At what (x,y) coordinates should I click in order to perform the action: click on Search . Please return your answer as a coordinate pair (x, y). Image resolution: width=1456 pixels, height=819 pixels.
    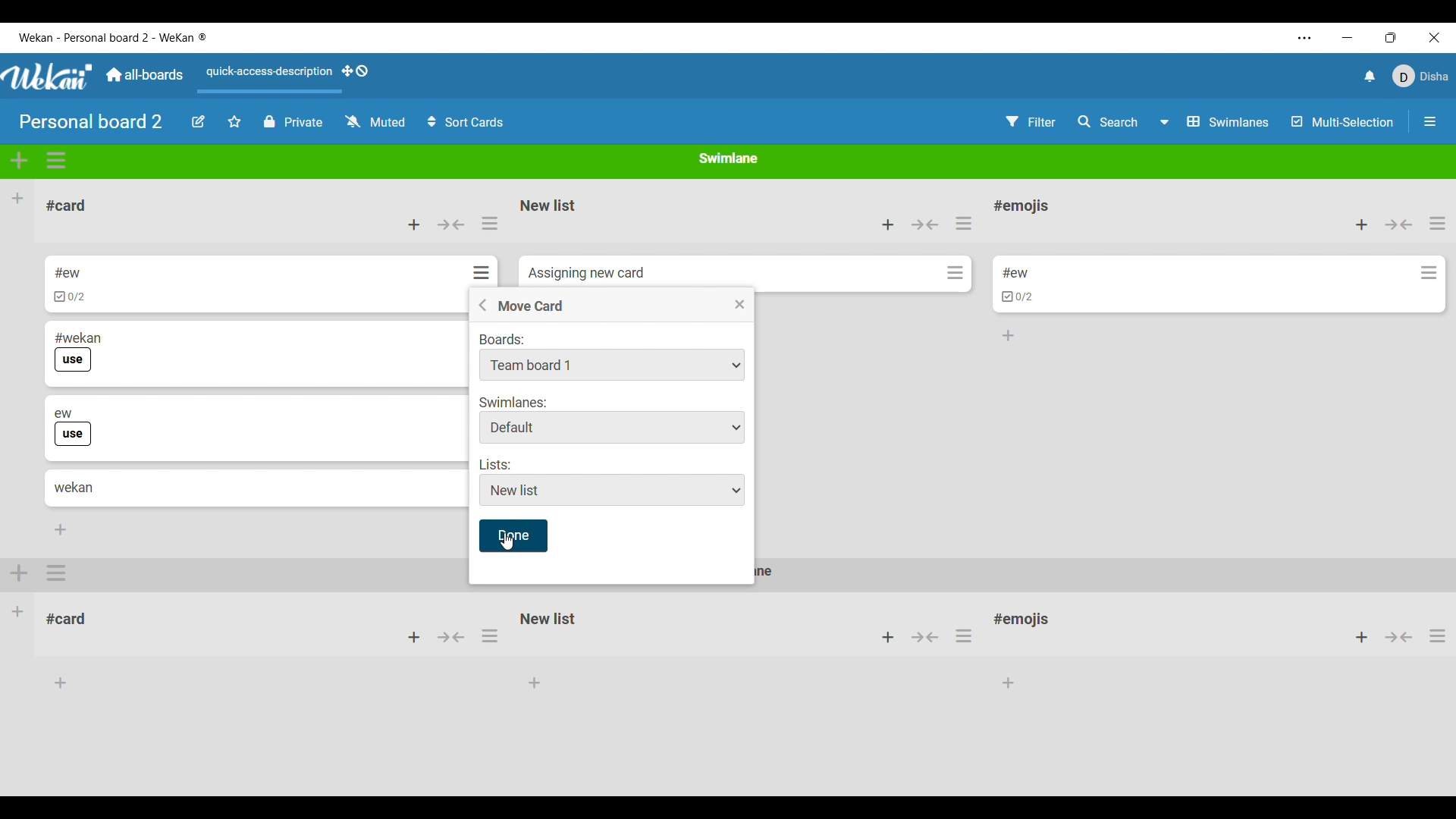
    Looking at the image, I should click on (1109, 121).